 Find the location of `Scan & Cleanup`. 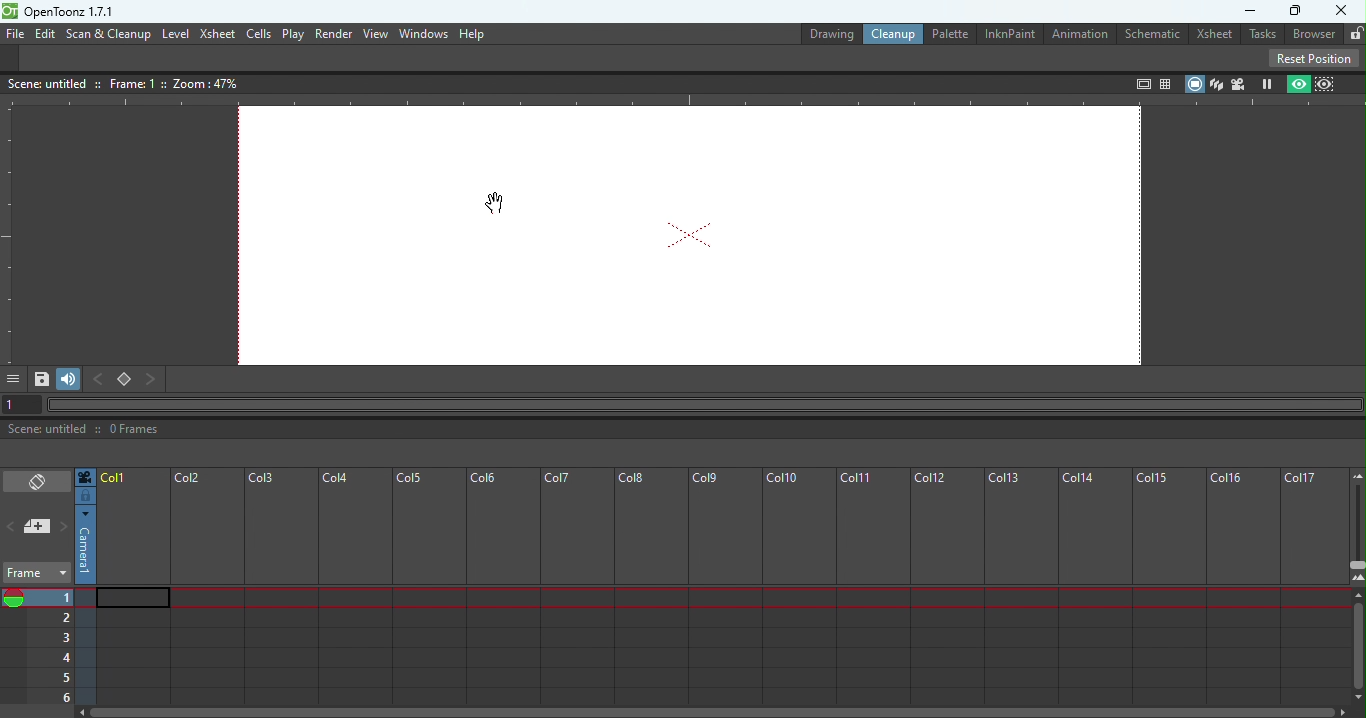

Scan & Cleanup is located at coordinates (109, 35).